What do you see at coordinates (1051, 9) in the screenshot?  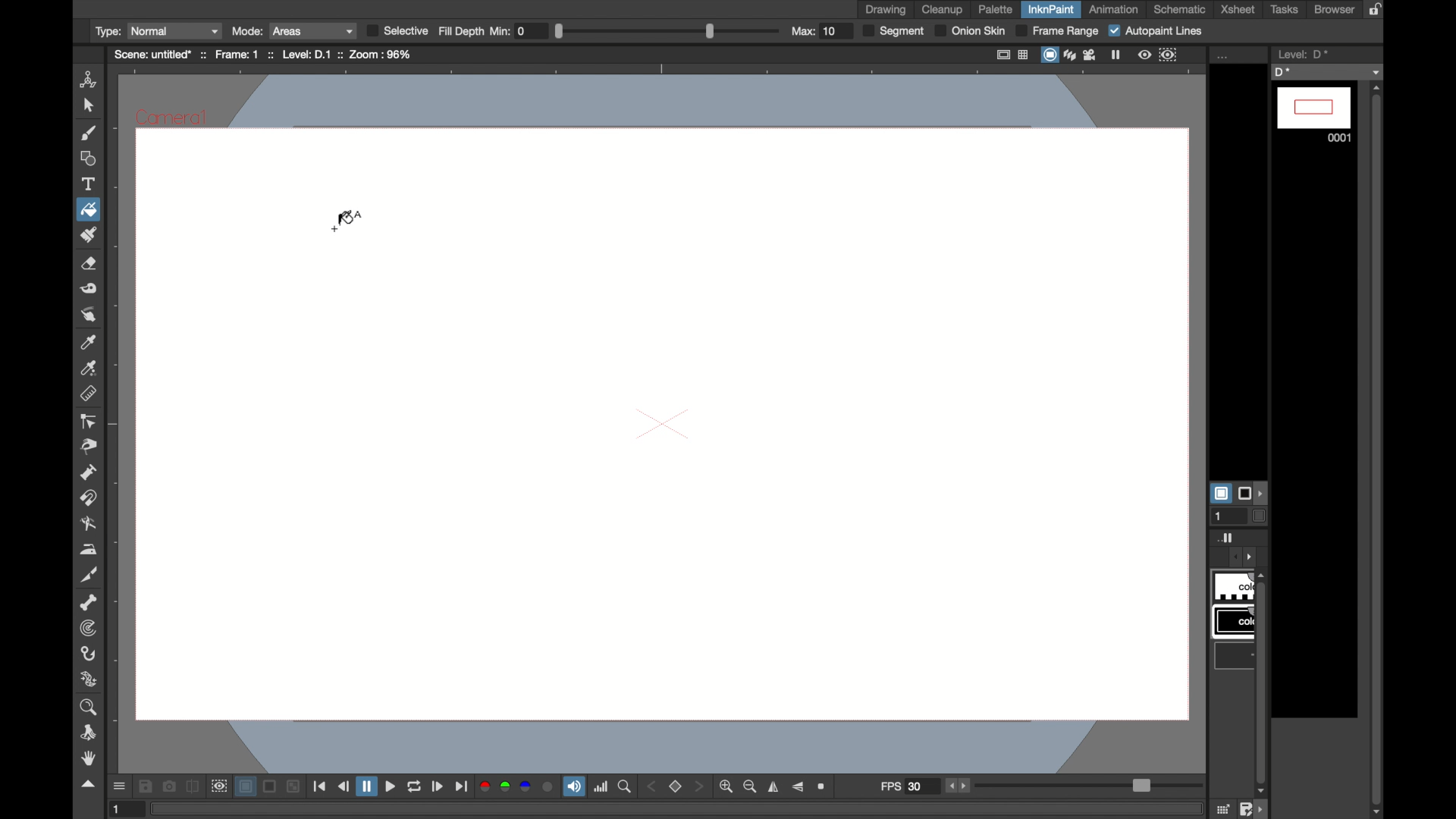 I see `inknpaint` at bounding box center [1051, 9].